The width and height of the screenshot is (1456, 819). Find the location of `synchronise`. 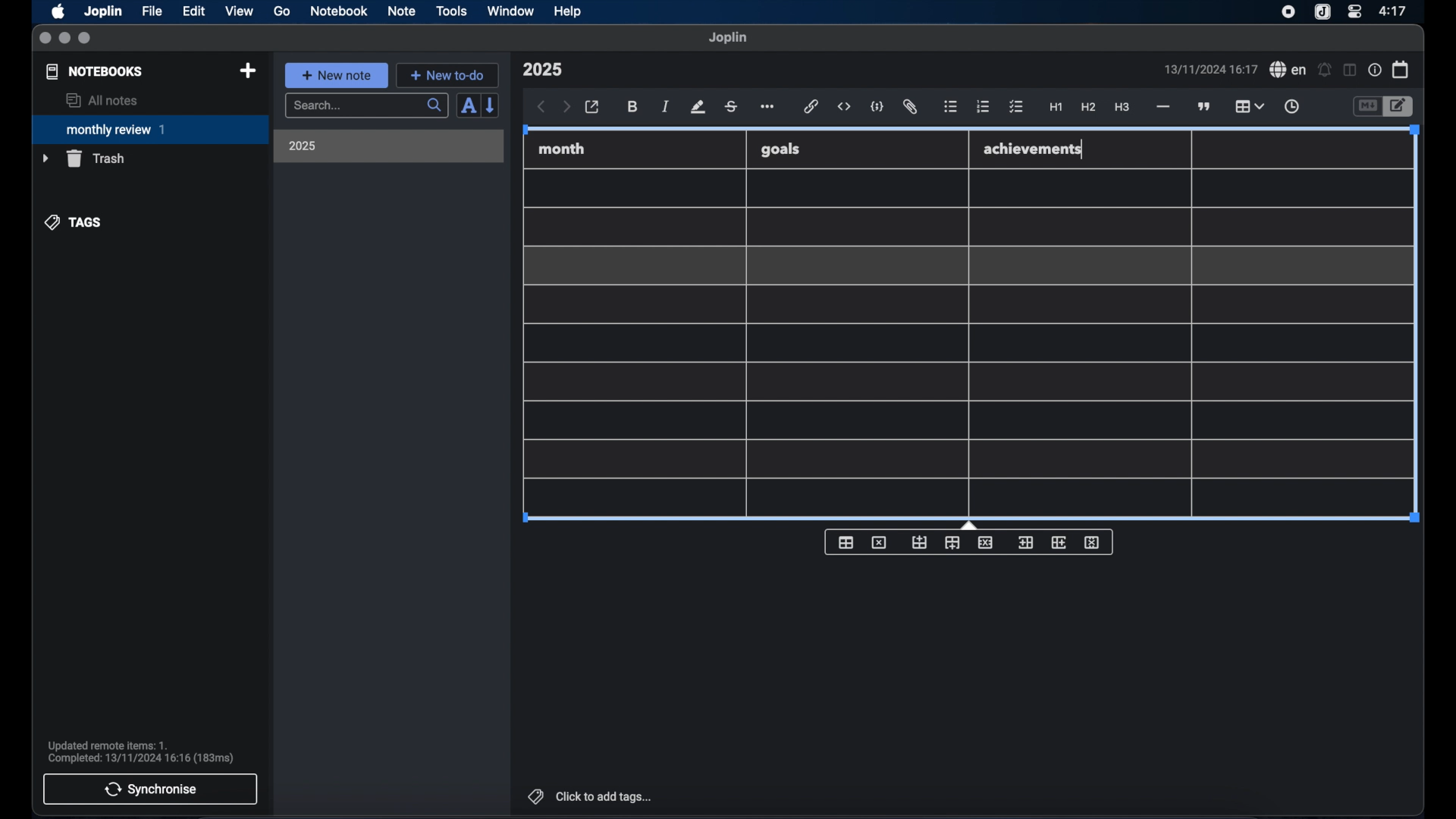

synchronise is located at coordinates (150, 789).